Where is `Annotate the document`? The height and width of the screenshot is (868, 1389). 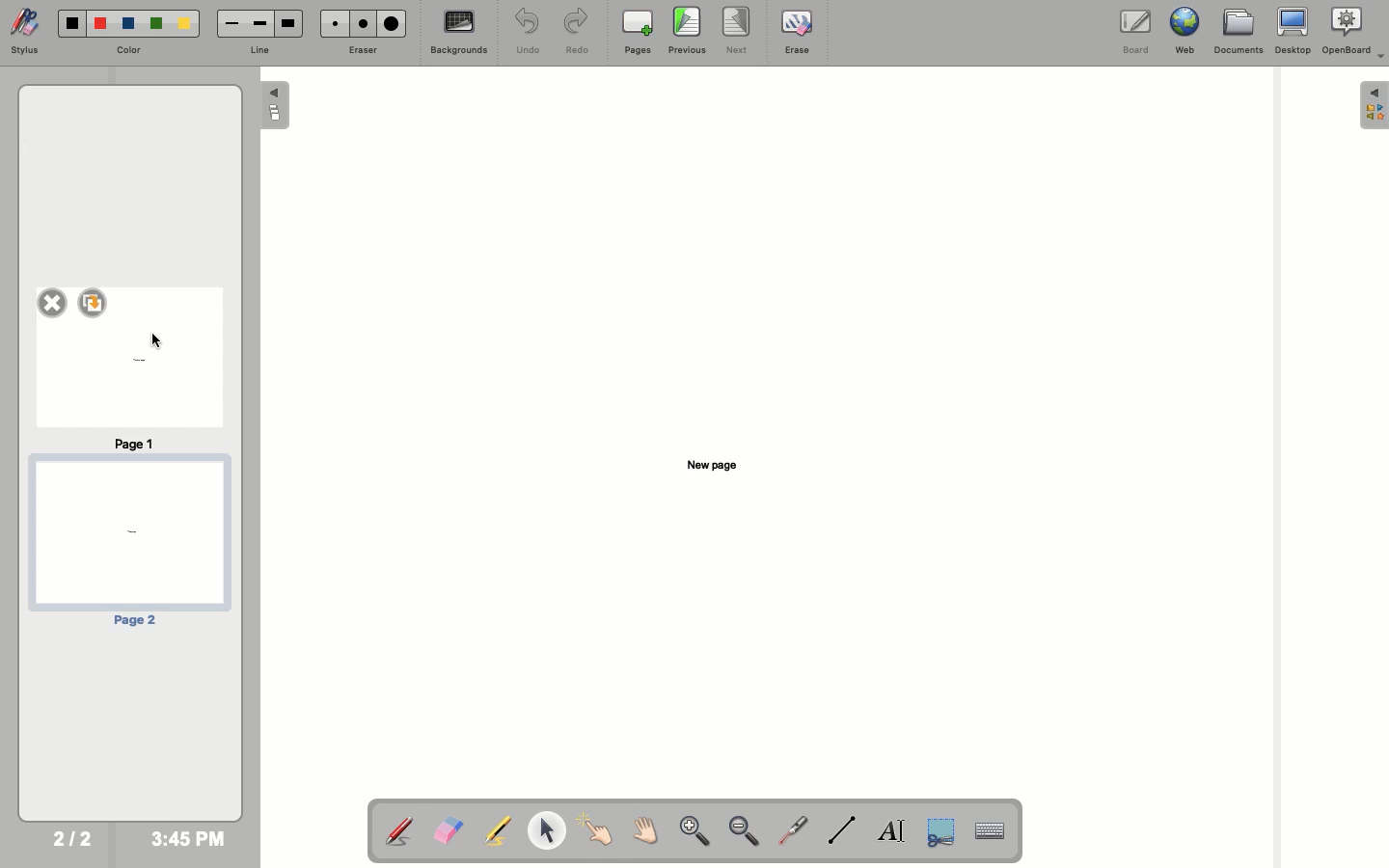
Annotate the document is located at coordinates (398, 832).